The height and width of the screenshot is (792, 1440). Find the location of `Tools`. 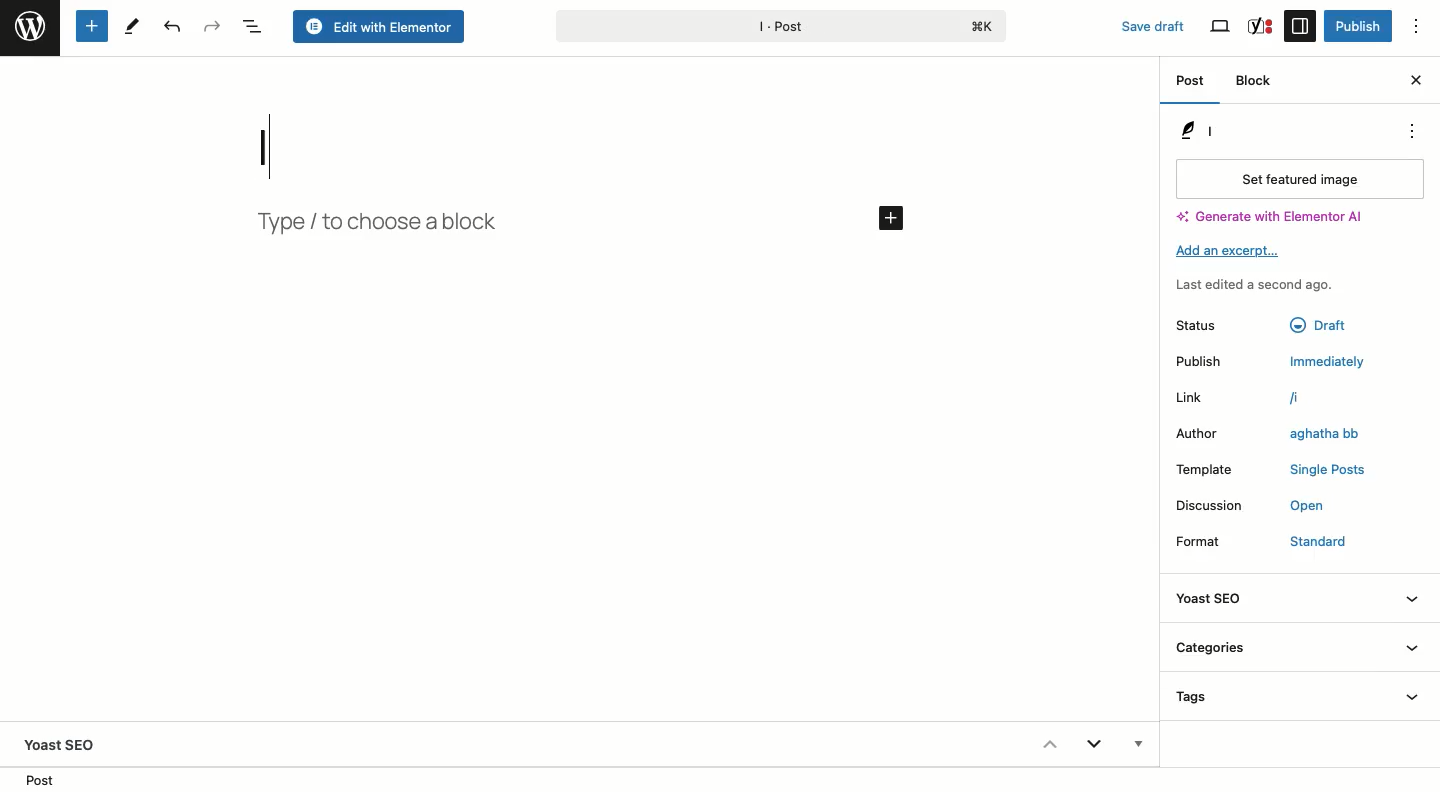

Tools is located at coordinates (133, 25).